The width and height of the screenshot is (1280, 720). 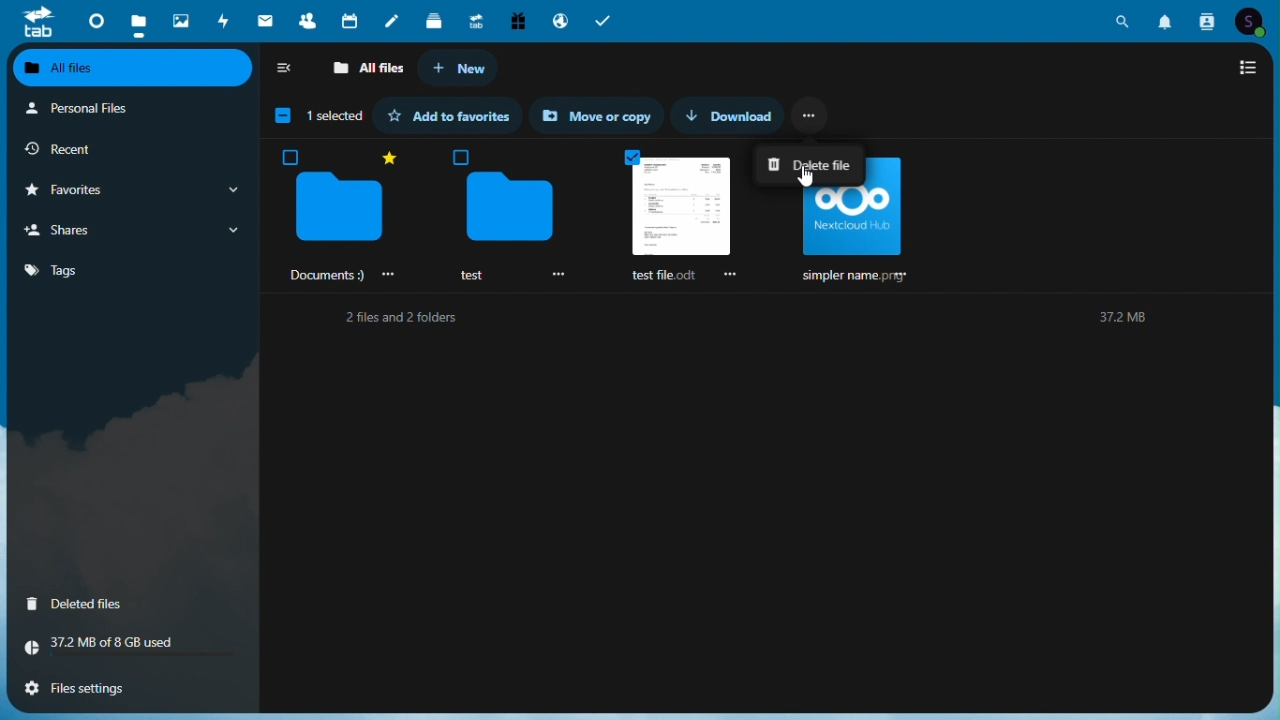 I want to click on Personal, so click(x=127, y=112).